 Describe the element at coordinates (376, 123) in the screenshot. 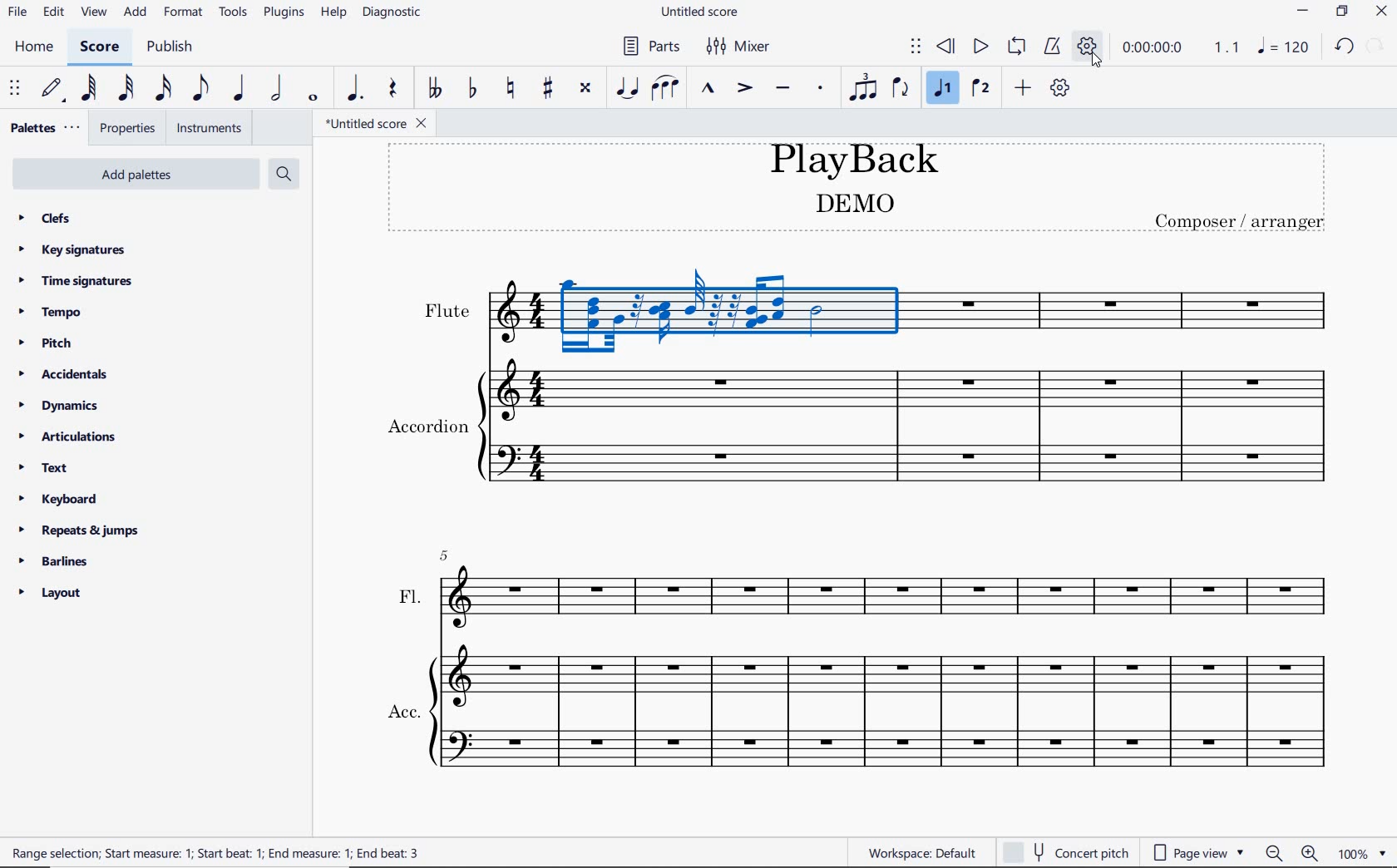

I see `file name` at that location.